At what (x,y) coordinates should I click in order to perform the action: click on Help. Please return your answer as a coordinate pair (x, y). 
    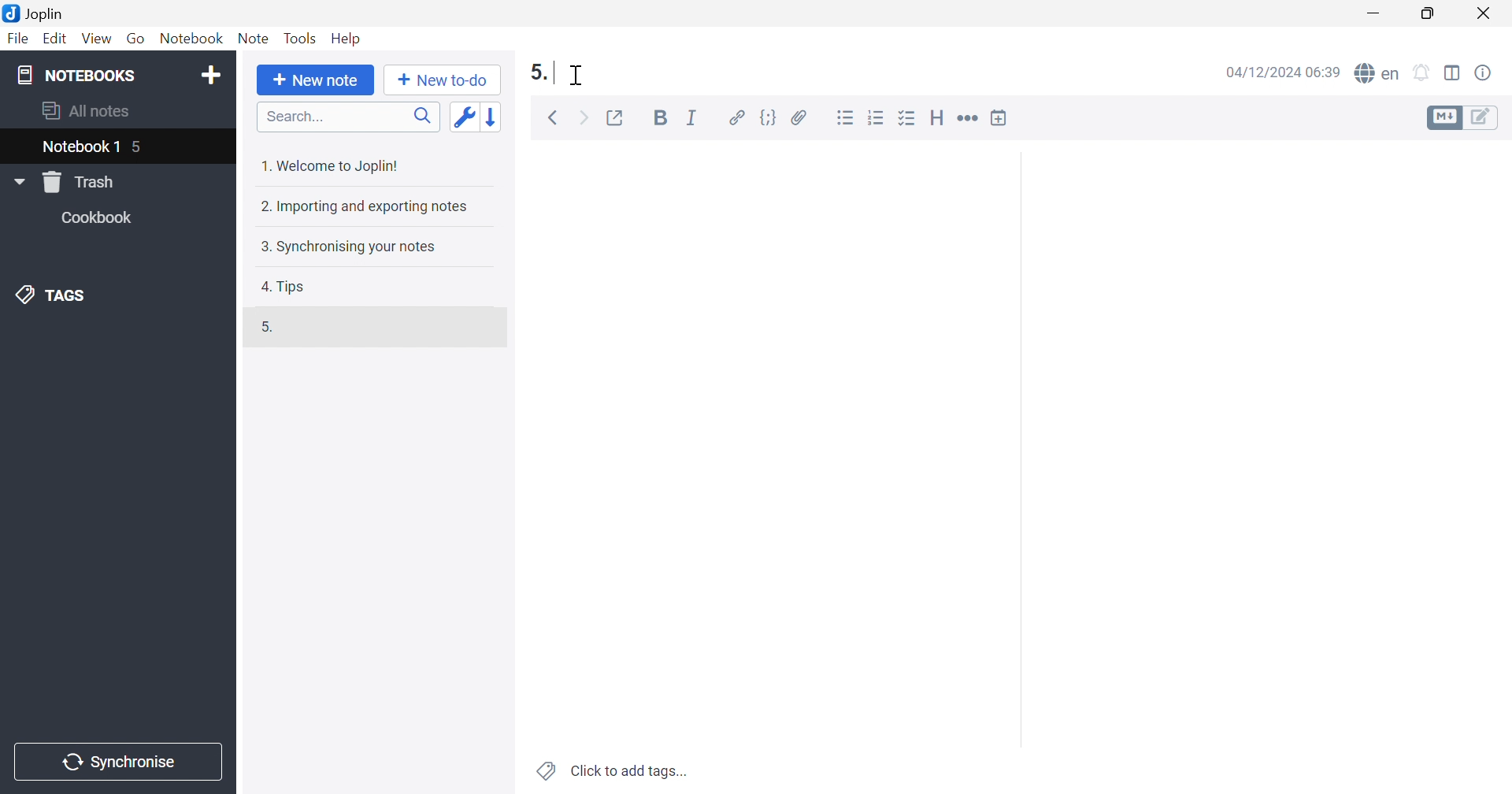
    Looking at the image, I should click on (348, 39).